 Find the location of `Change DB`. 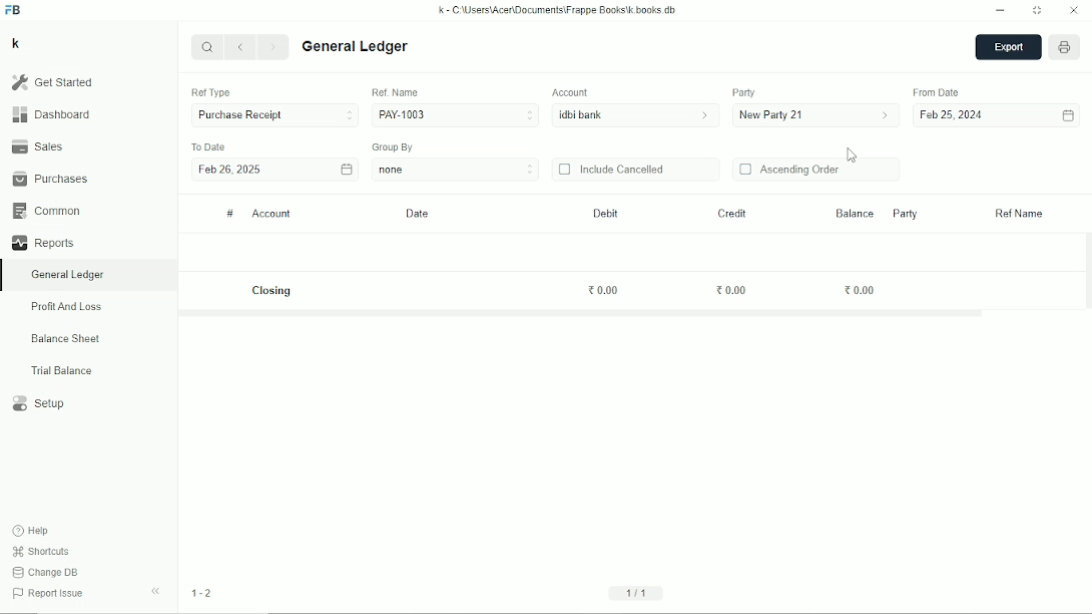

Change DB is located at coordinates (46, 572).